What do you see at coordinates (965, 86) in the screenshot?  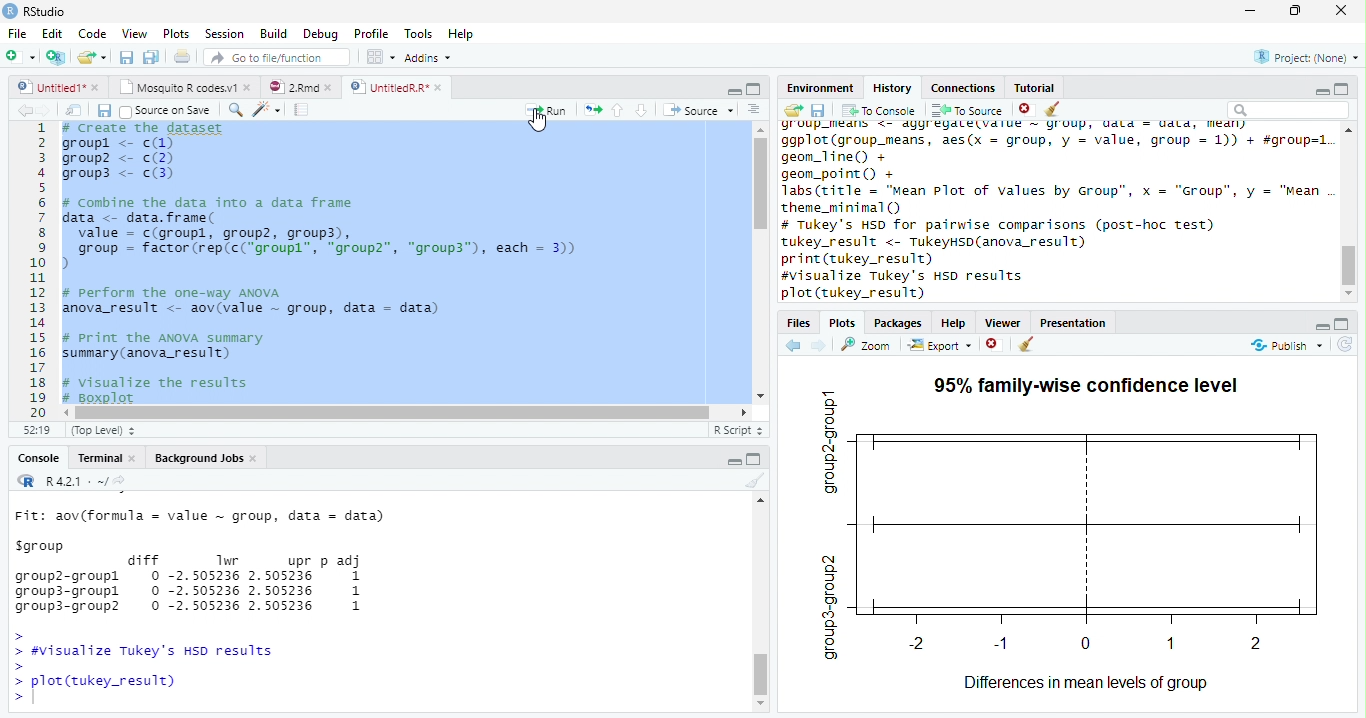 I see `Connections` at bounding box center [965, 86].